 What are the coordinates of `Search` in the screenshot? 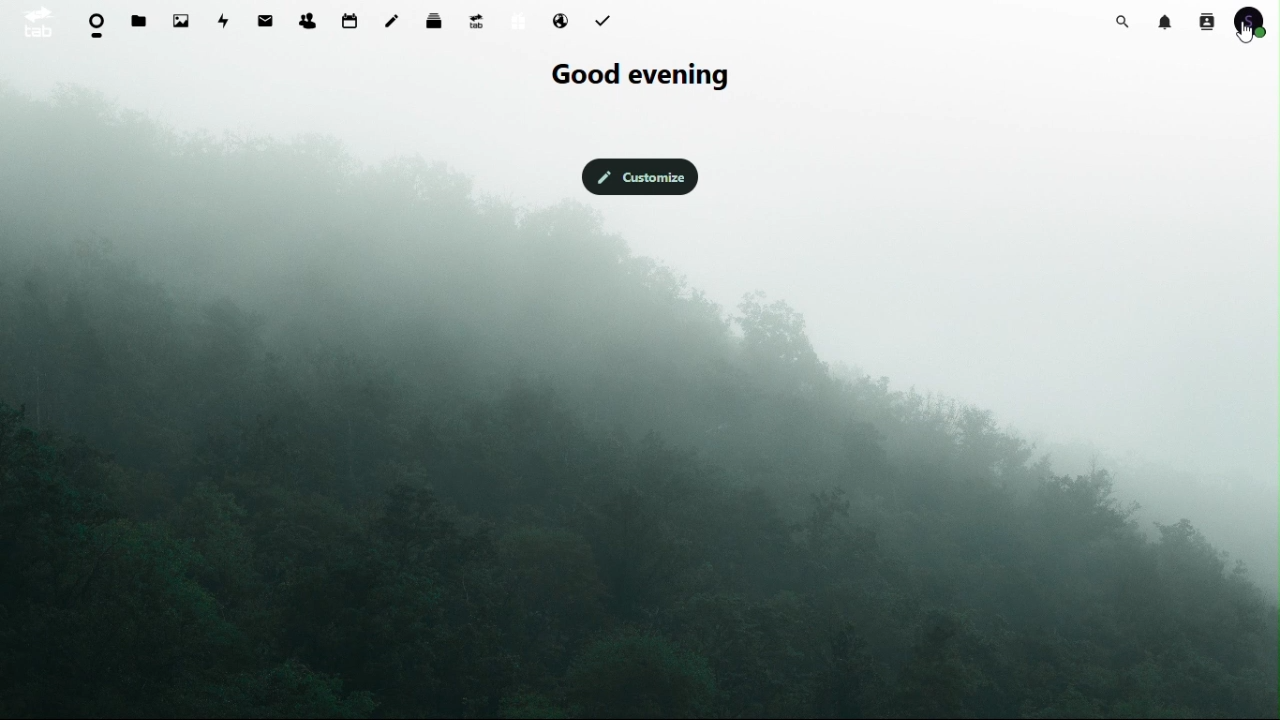 It's located at (1126, 19).